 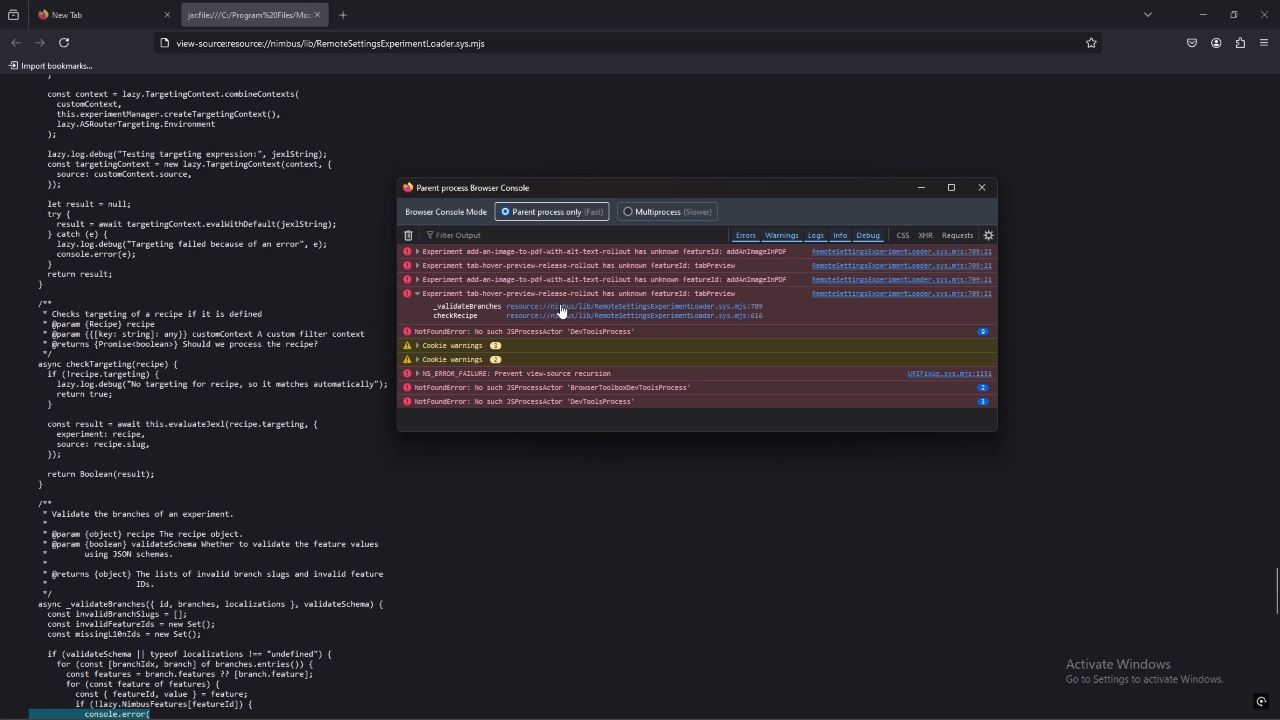 What do you see at coordinates (1264, 14) in the screenshot?
I see `close` at bounding box center [1264, 14].